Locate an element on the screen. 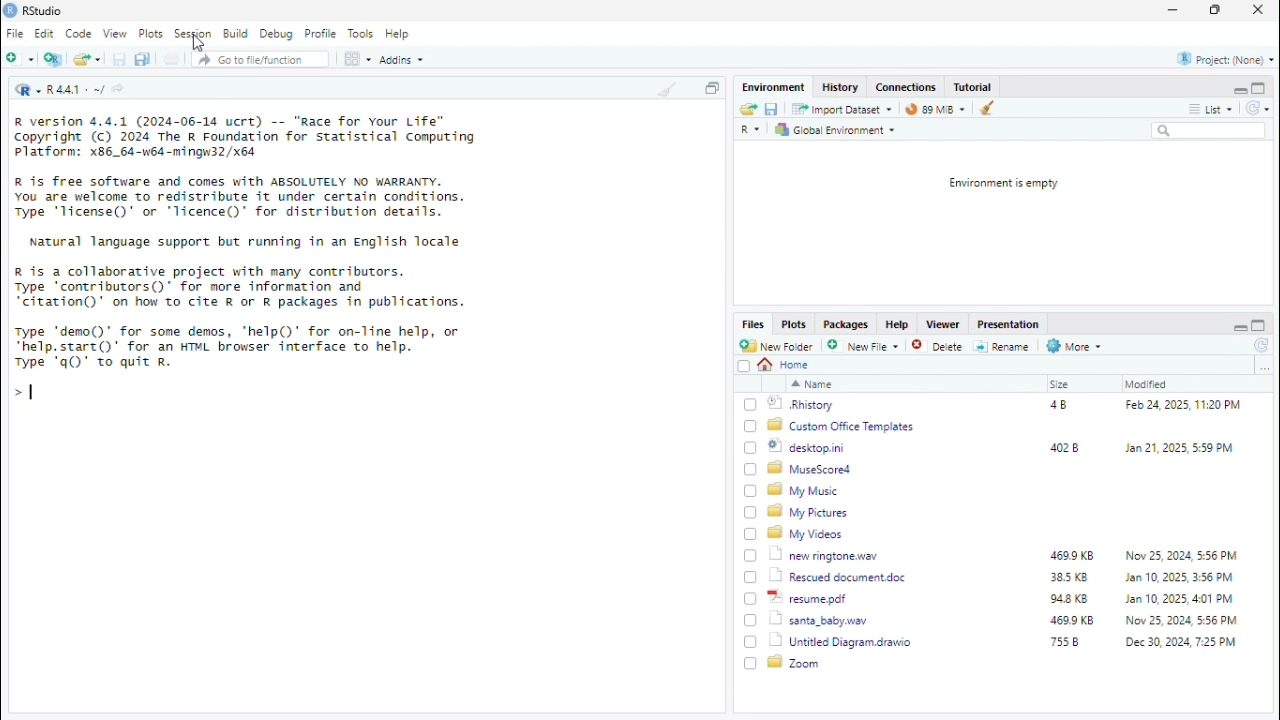 Image resolution: width=1280 pixels, height=720 pixels. Size is located at coordinates (1061, 384).